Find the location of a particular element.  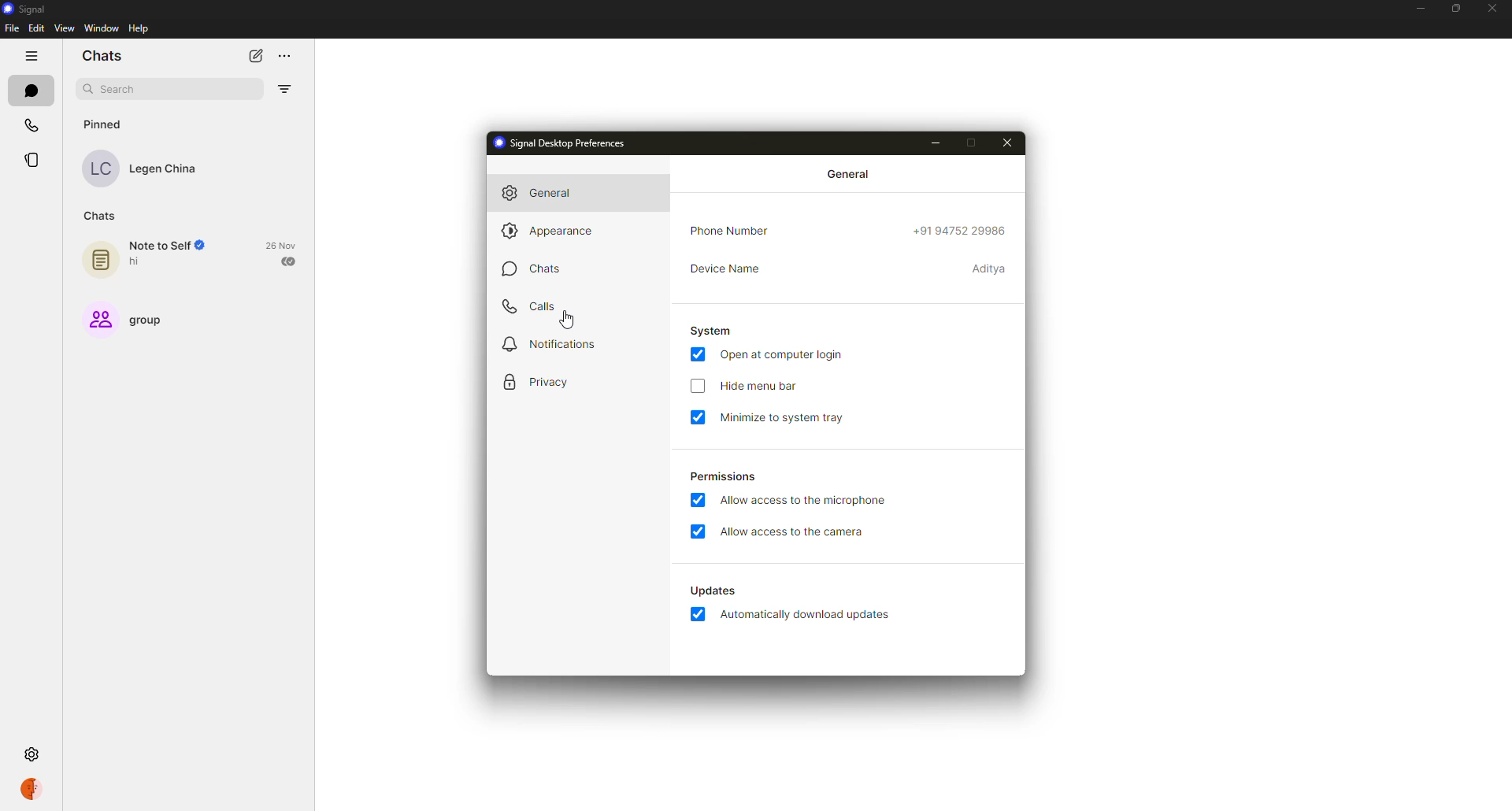

enabled is located at coordinates (702, 354).